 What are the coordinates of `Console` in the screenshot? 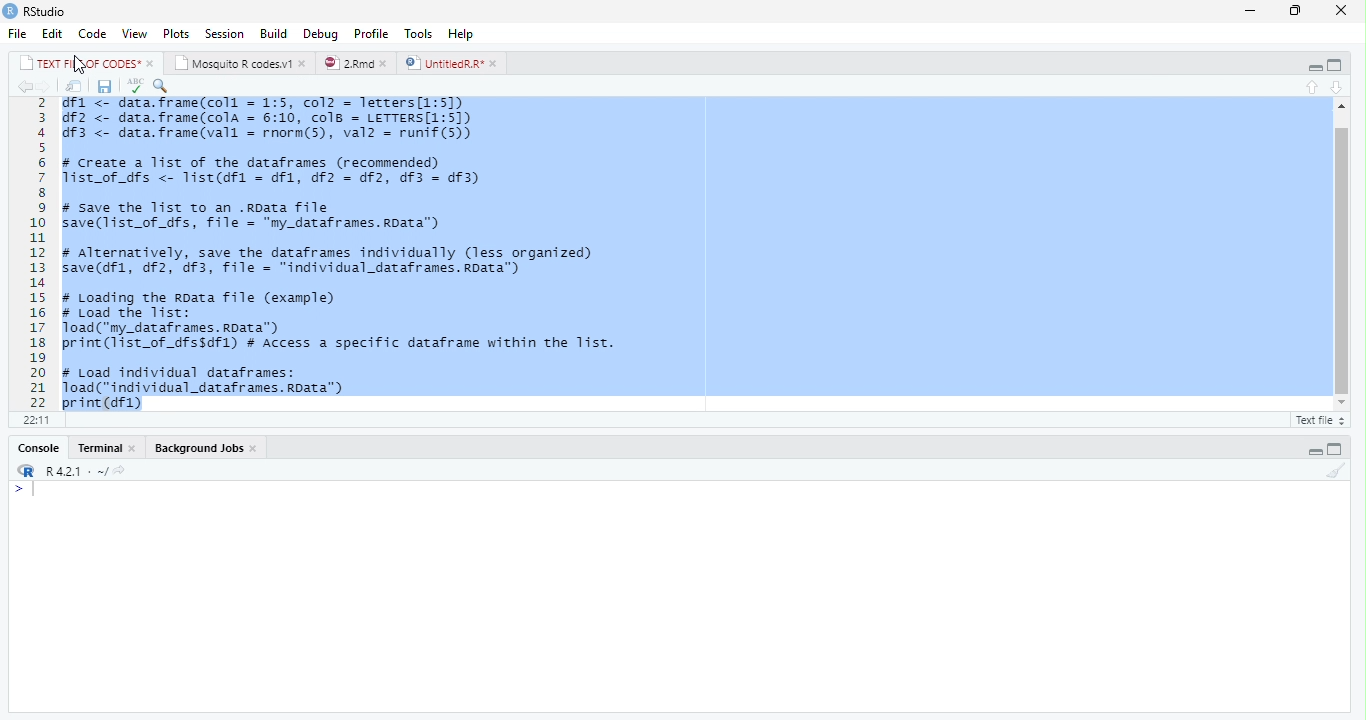 It's located at (680, 597).